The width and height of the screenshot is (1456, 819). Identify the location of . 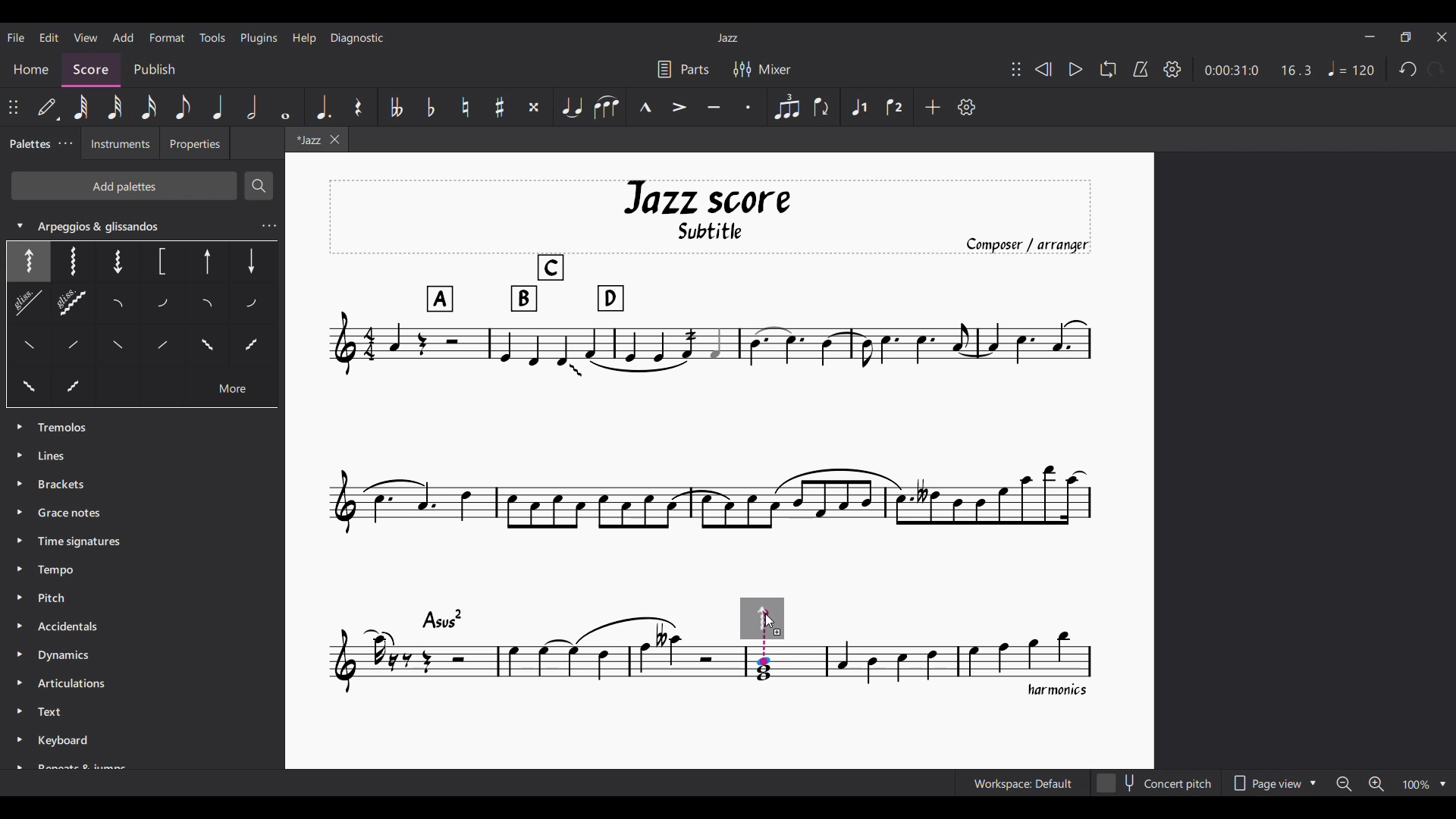
(253, 259).